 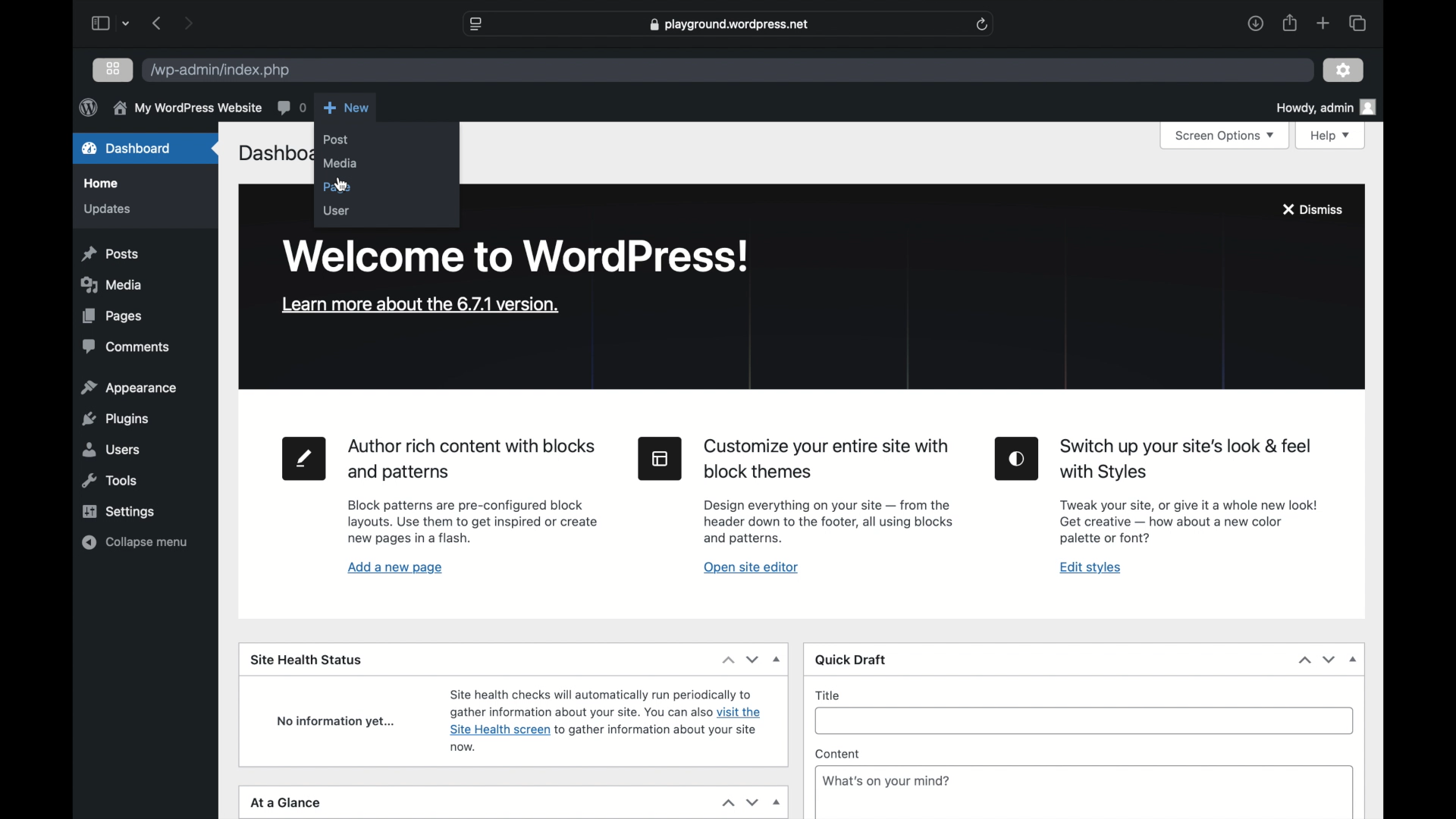 I want to click on dropdown, so click(x=778, y=659).